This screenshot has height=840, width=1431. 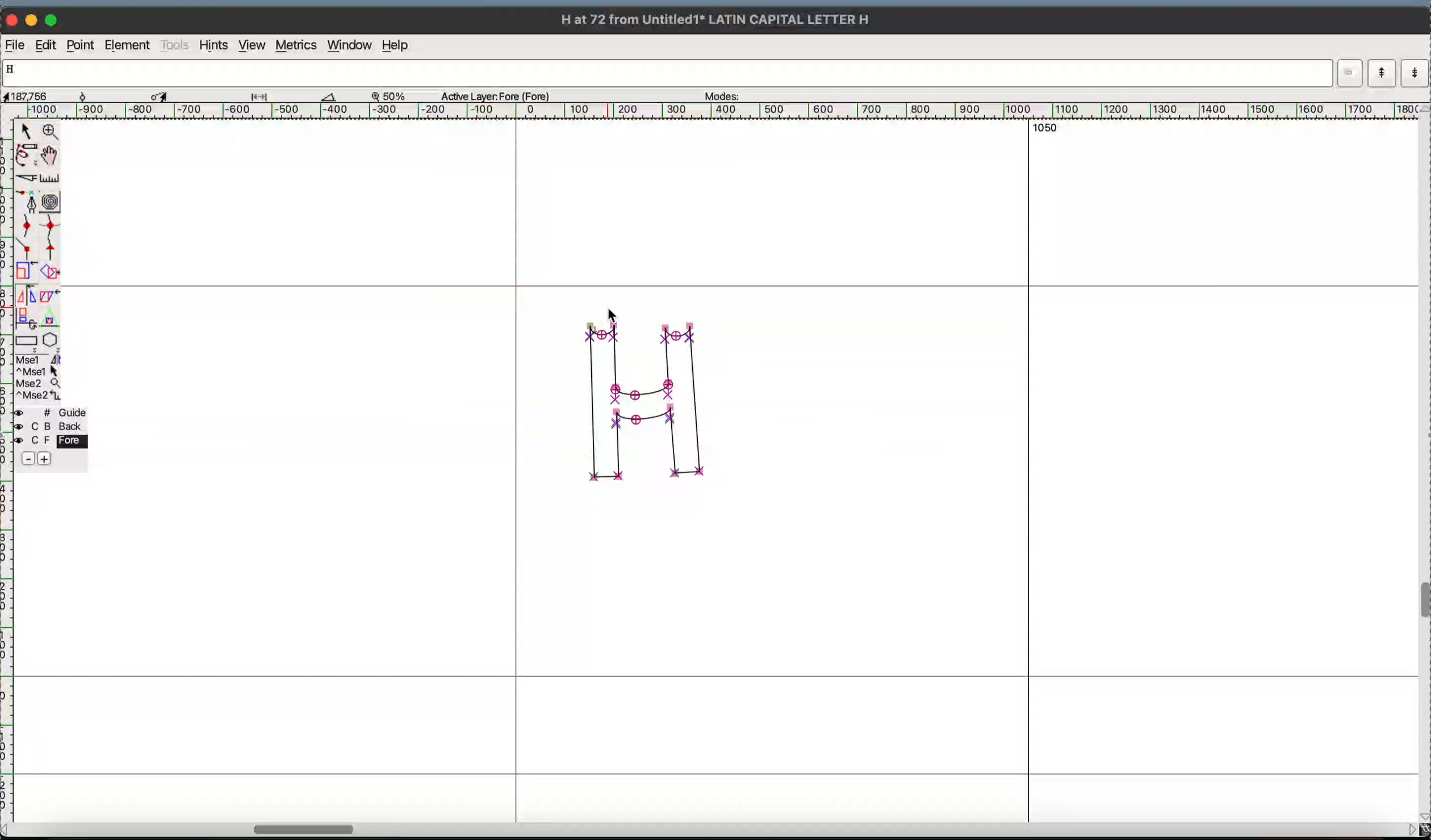 What do you see at coordinates (295, 44) in the screenshot?
I see `metrics` at bounding box center [295, 44].